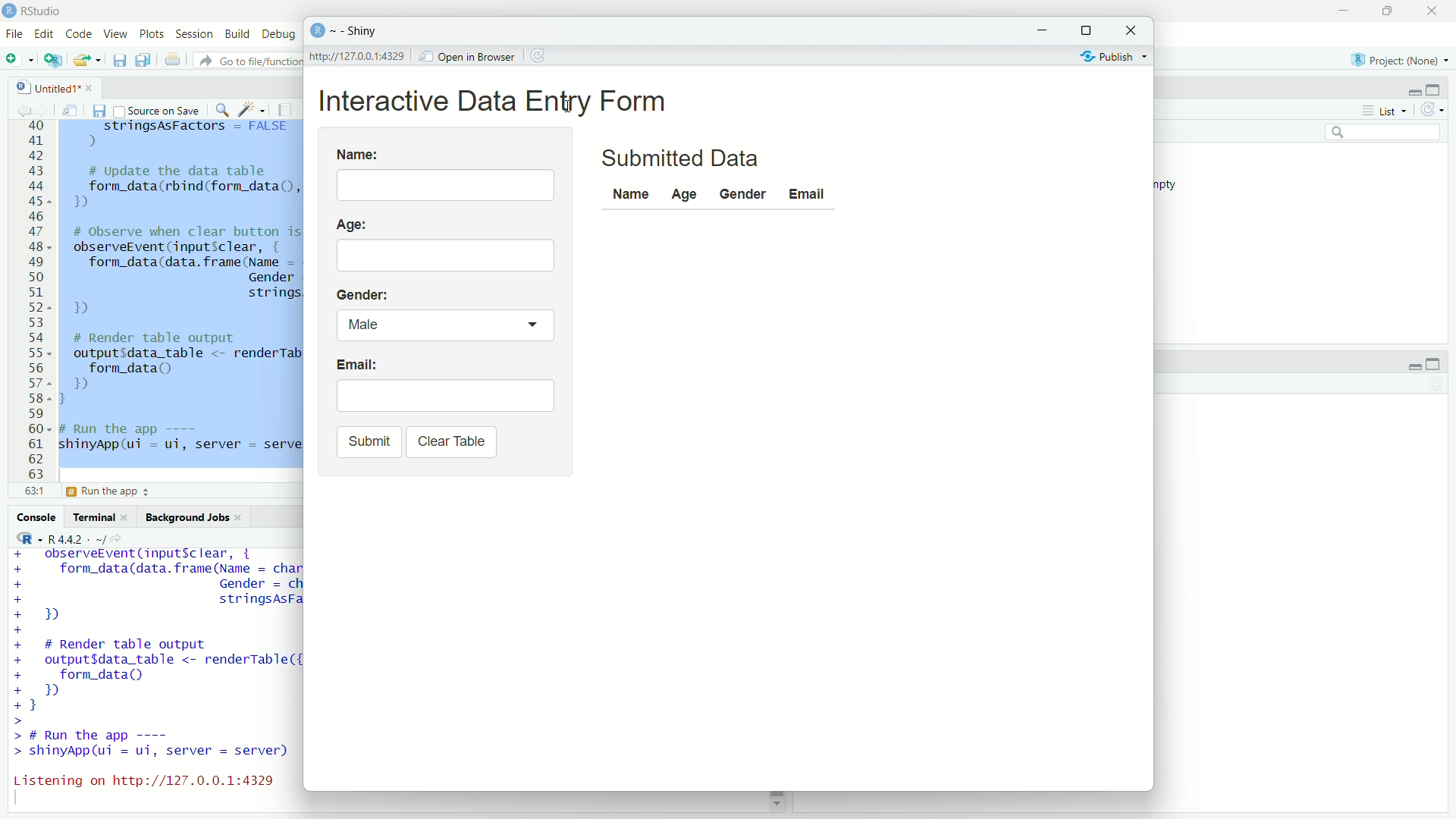 Image resolution: width=1456 pixels, height=819 pixels. What do you see at coordinates (118, 60) in the screenshot?
I see `save current documents` at bounding box center [118, 60].